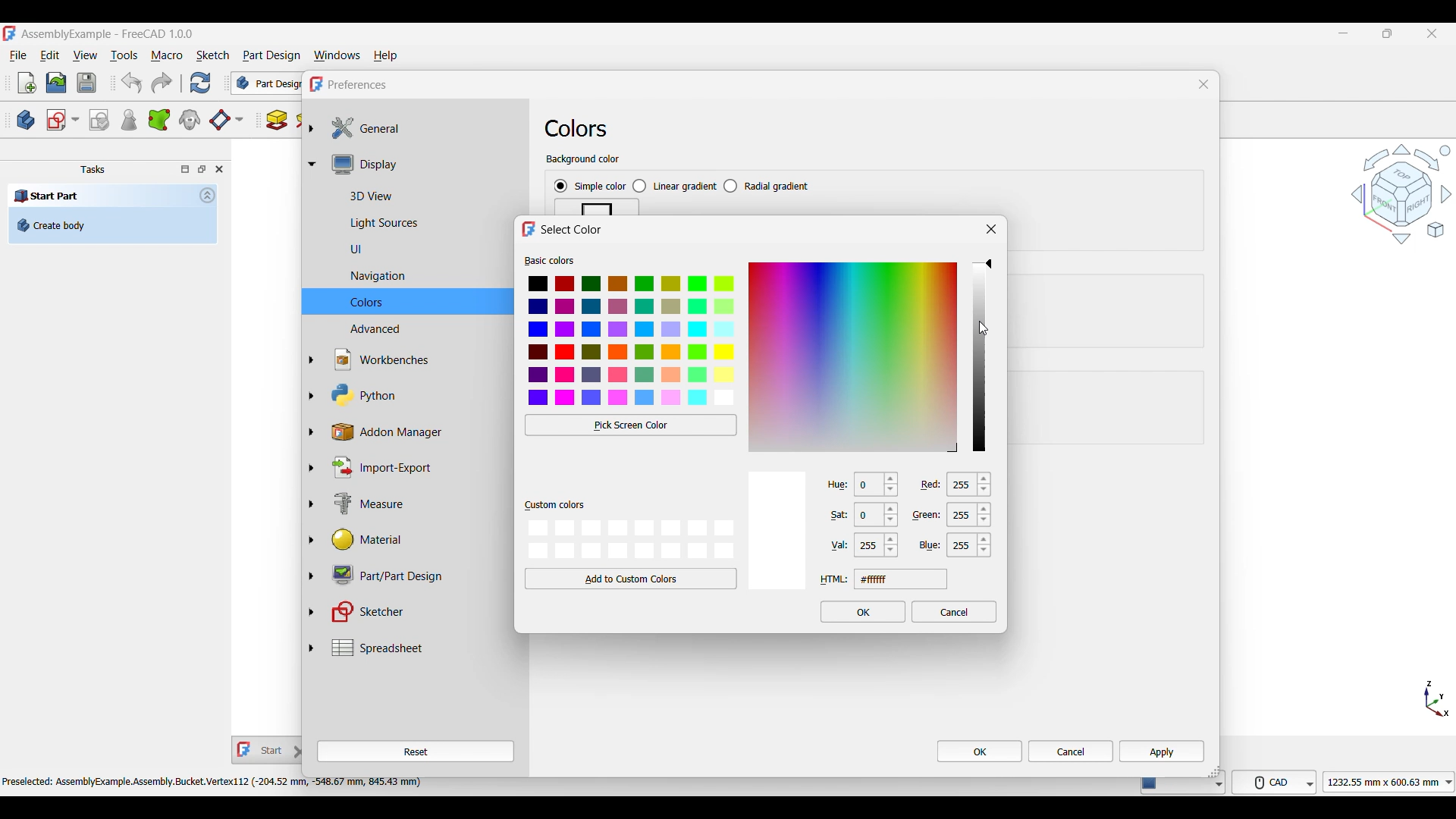 This screenshot has height=819, width=1456. Describe the element at coordinates (417, 432) in the screenshot. I see `Addon manager` at that location.